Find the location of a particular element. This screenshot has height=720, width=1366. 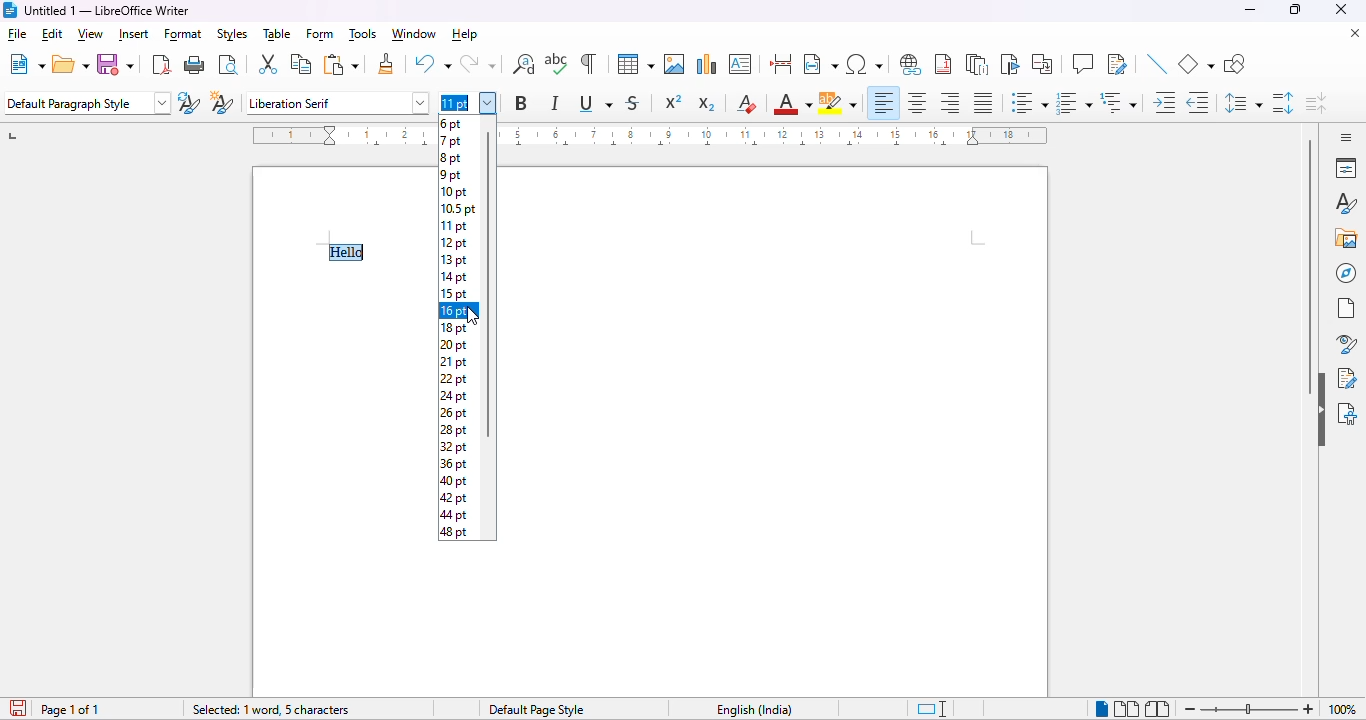

italic is located at coordinates (556, 104).